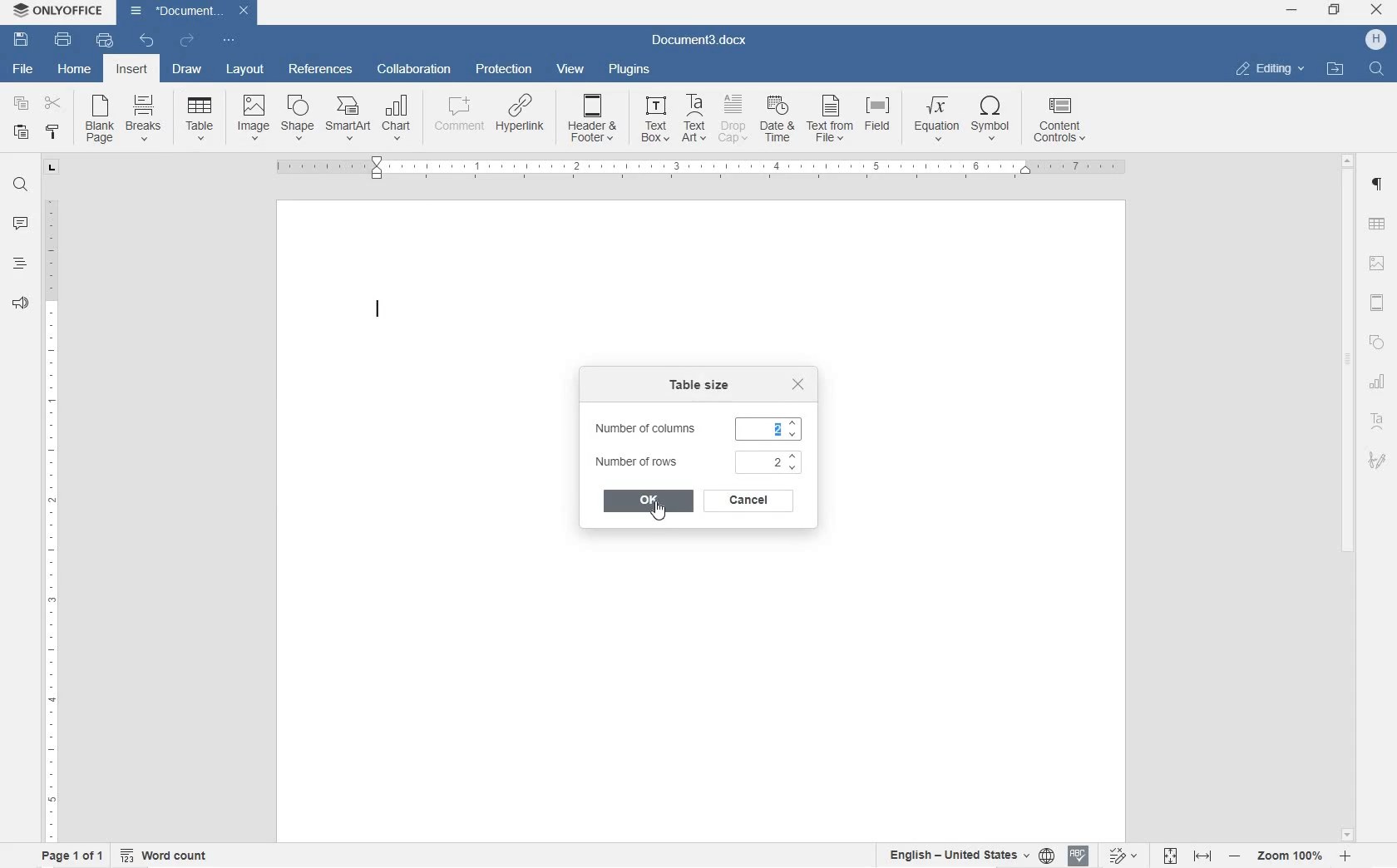 Image resolution: width=1397 pixels, height=868 pixels. What do you see at coordinates (185, 72) in the screenshot?
I see `DRAW` at bounding box center [185, 72].